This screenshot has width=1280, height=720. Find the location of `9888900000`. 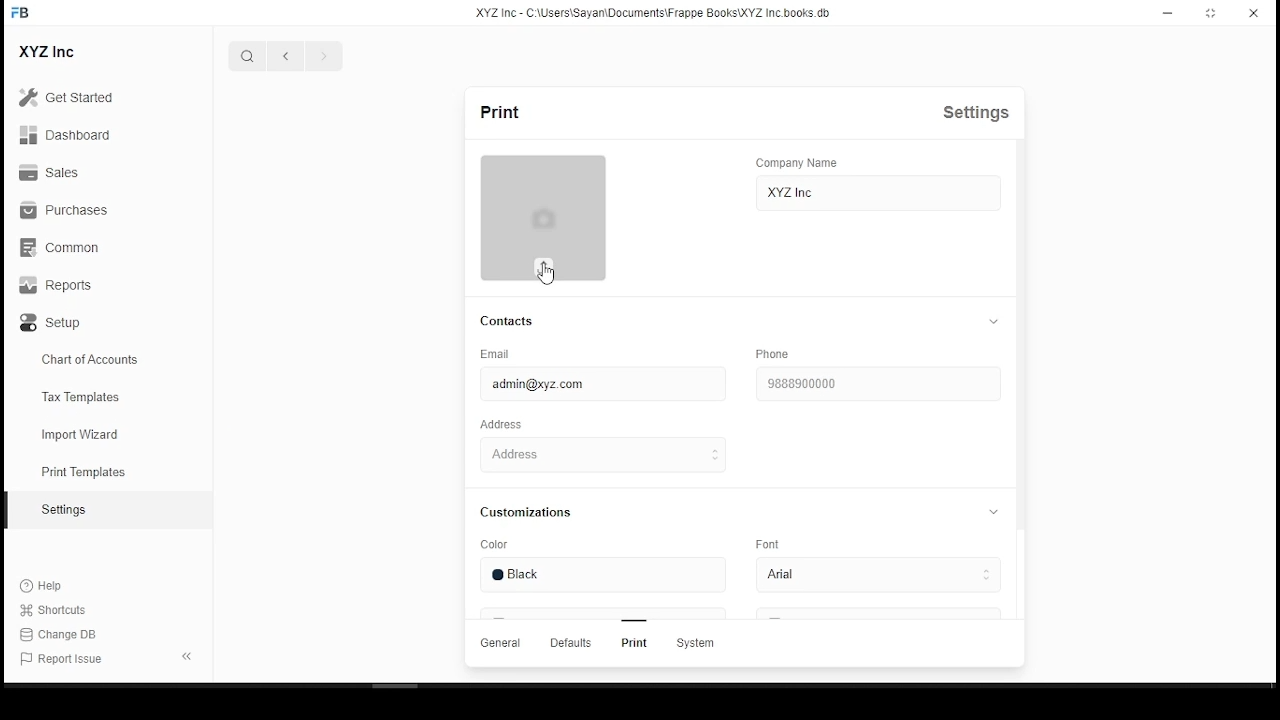

9888900000 is located at coordinates (804, 383).